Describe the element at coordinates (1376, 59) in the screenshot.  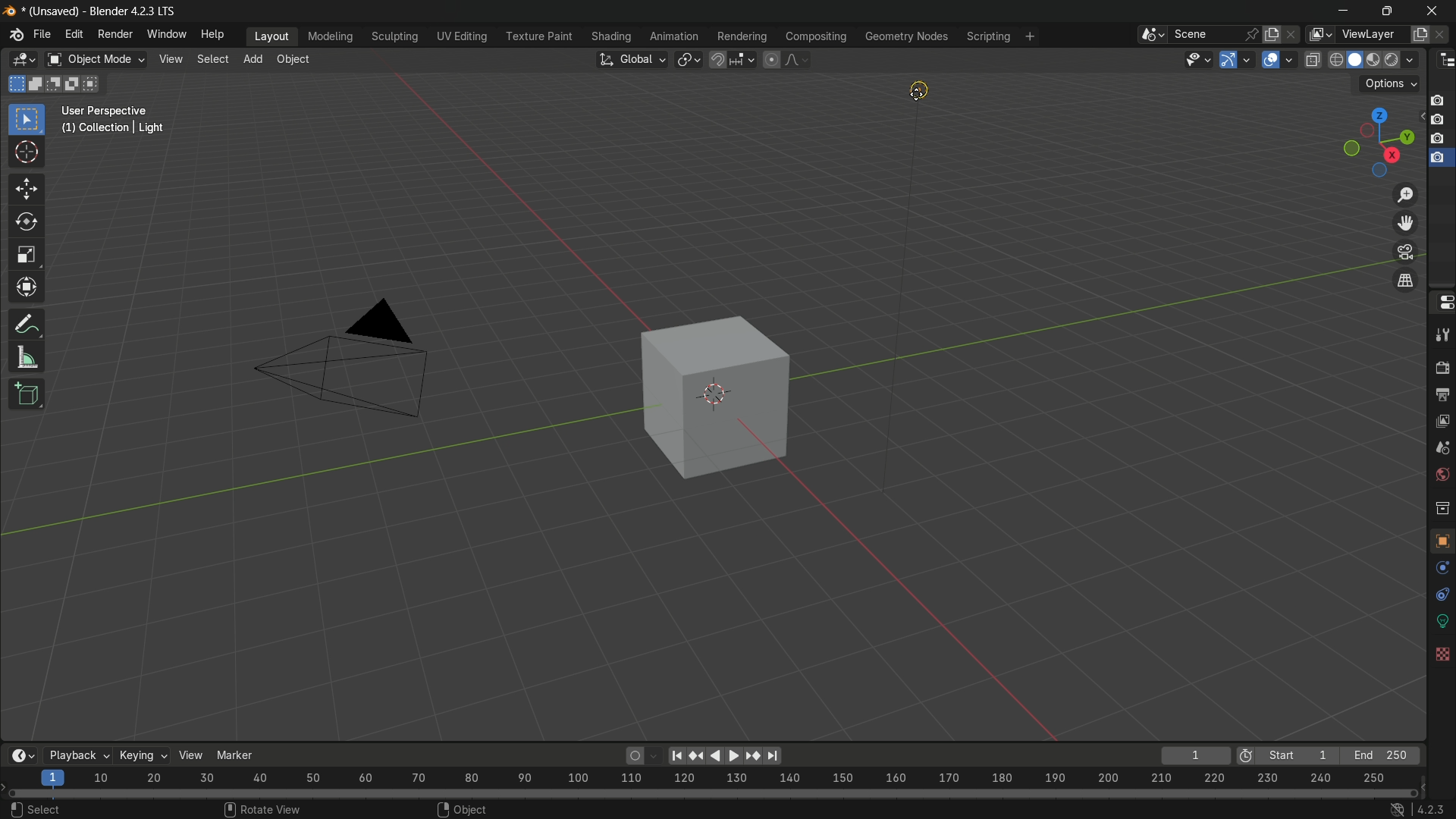
I see `material preview` at that location.